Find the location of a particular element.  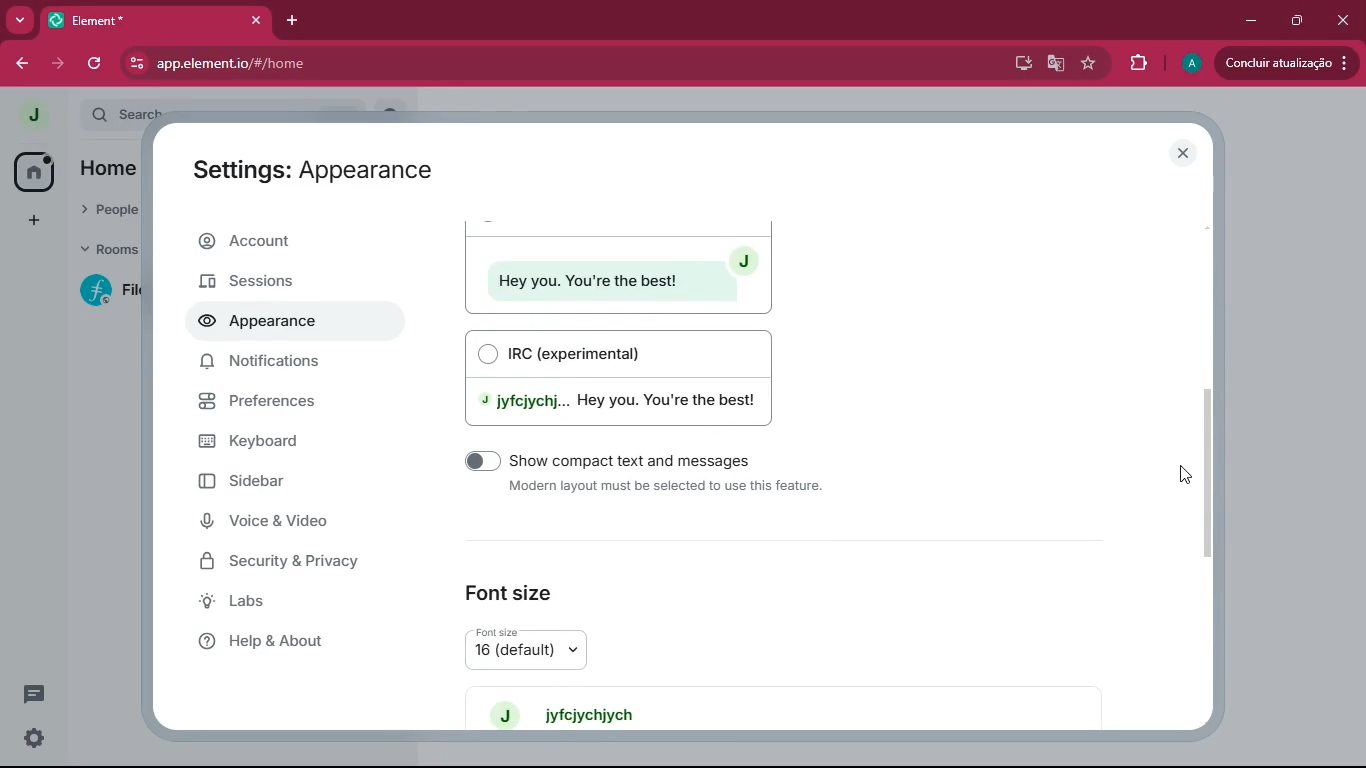

message is located at coordinates (32, 697).